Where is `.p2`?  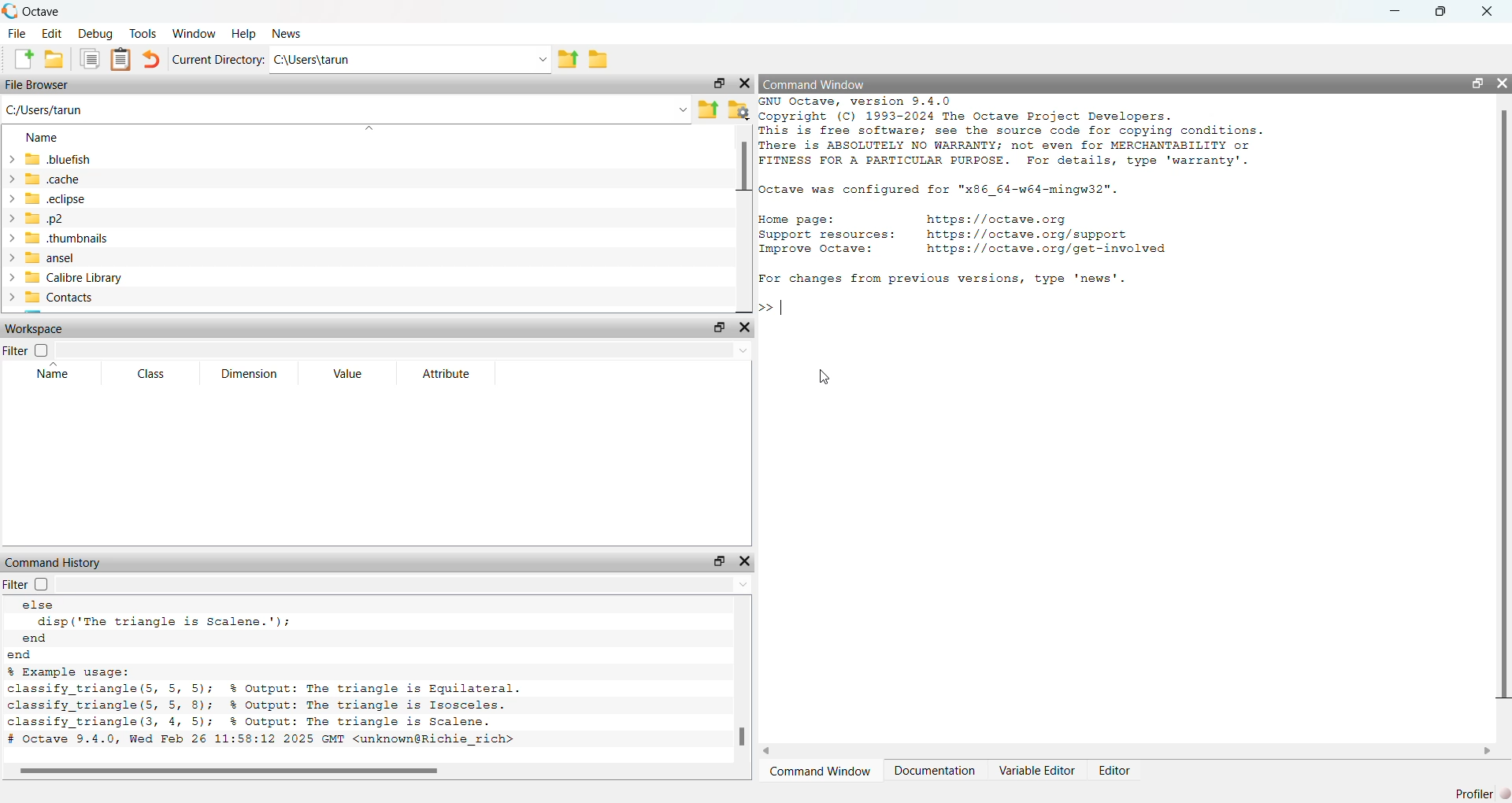
.p2 is located at coordinates (57, 218).